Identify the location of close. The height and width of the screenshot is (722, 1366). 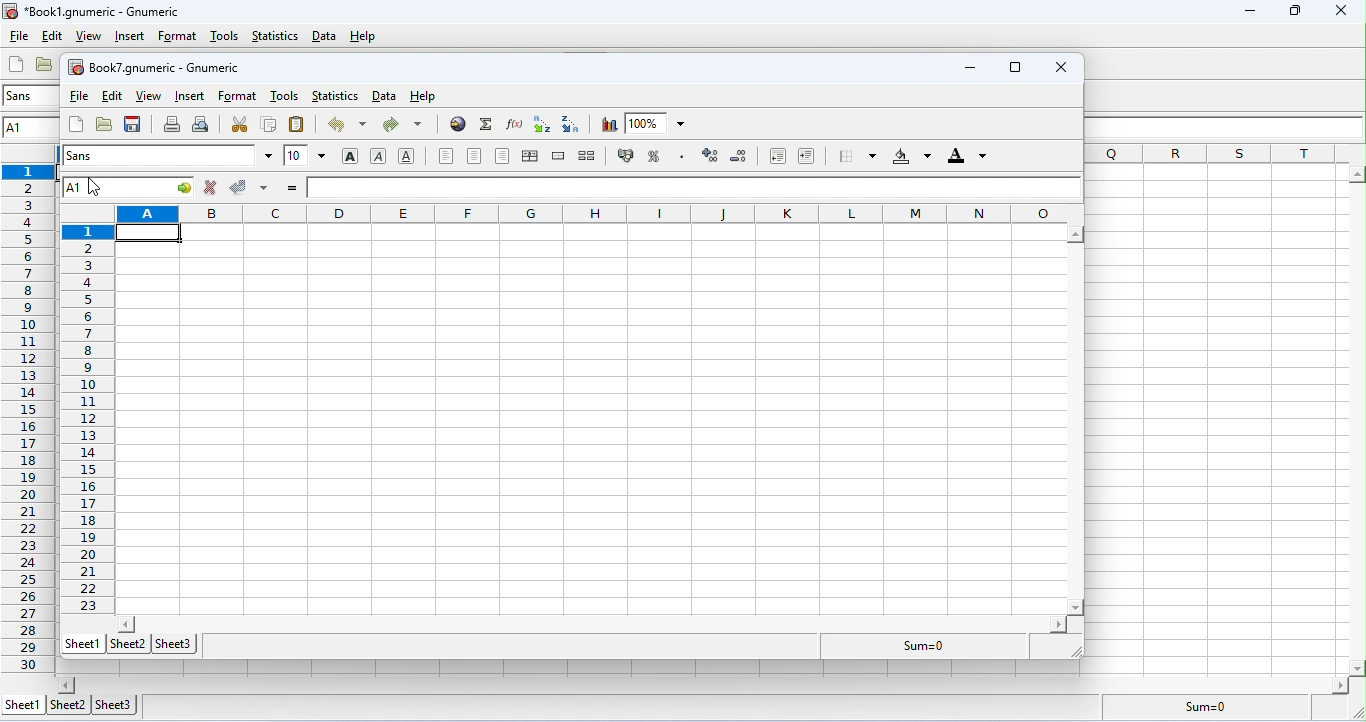
(1056, 66).